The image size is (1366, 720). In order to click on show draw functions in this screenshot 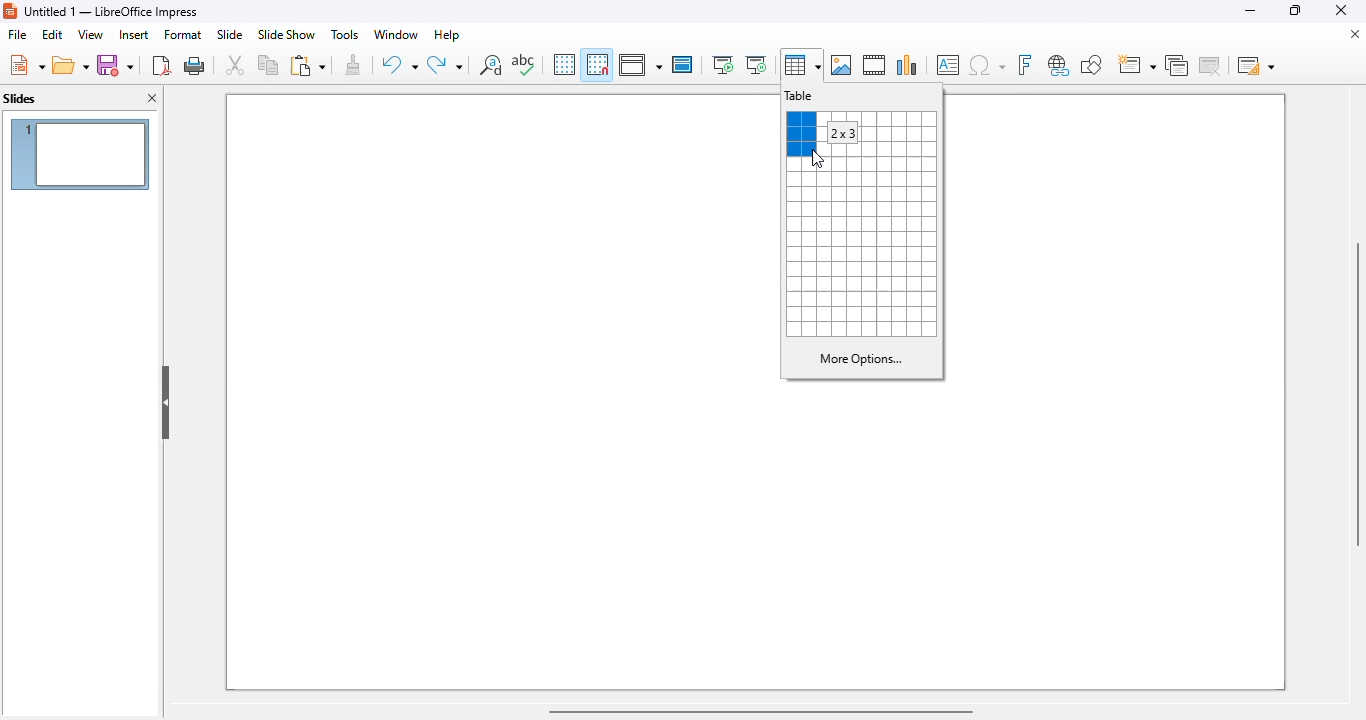, I will do `click(1093, 64)`.